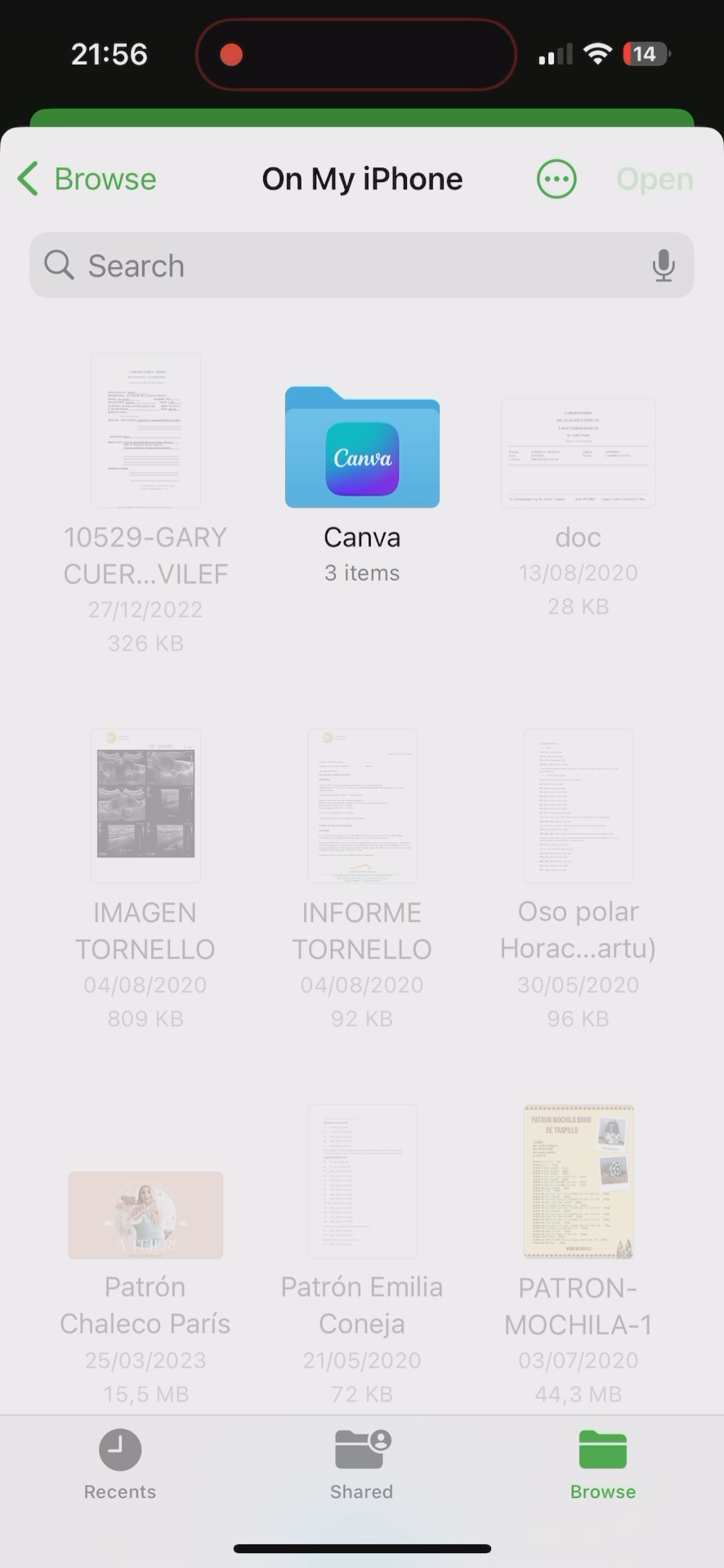 Image resolution: width=724 pixels, height=1568 pixels. What do you see at coordinates (599, 60) in the screenshot?
I see `wi-fi` at bounding box center [599, 60].